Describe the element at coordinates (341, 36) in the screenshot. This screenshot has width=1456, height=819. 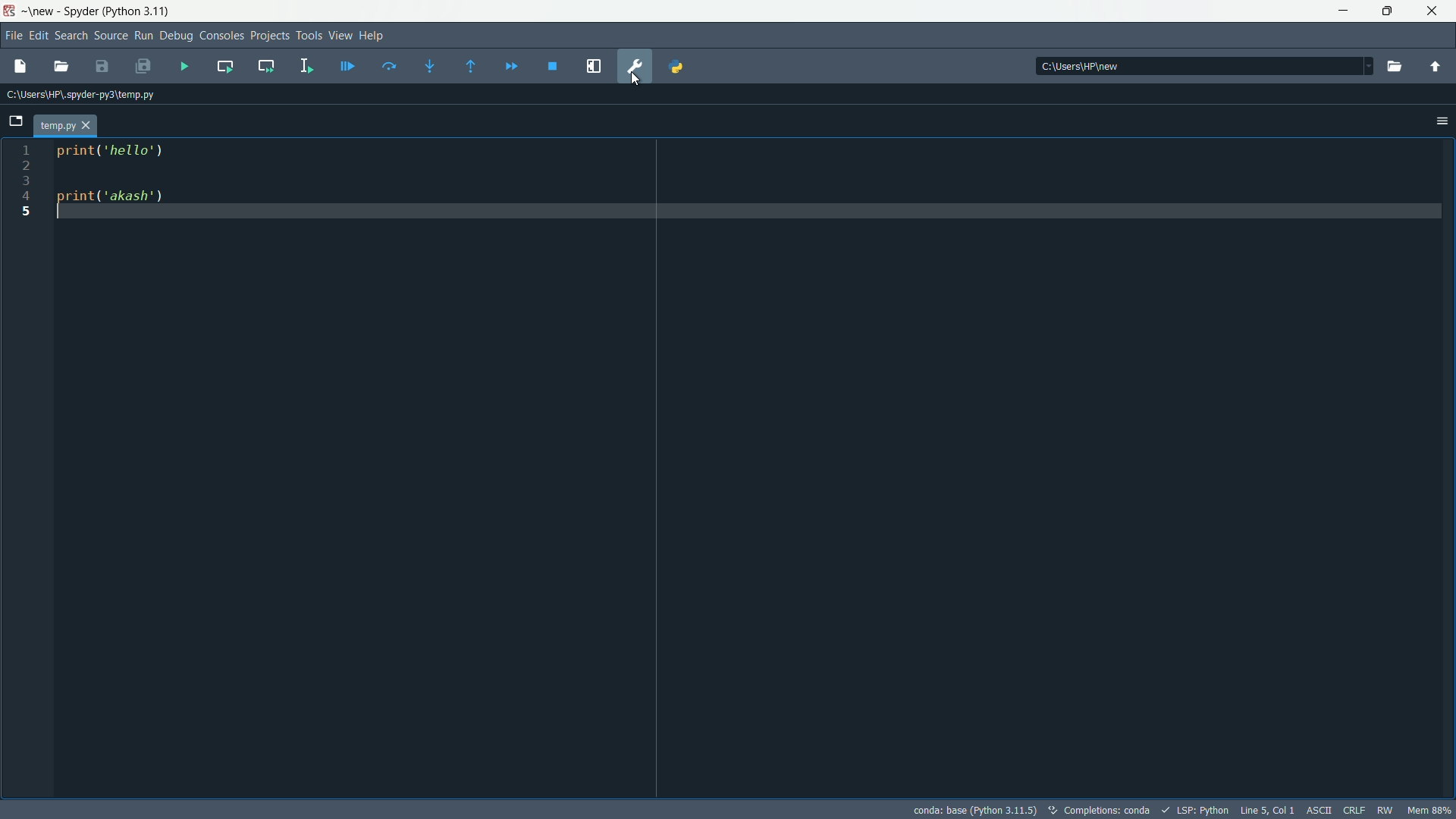
I see `view menu` at that location.